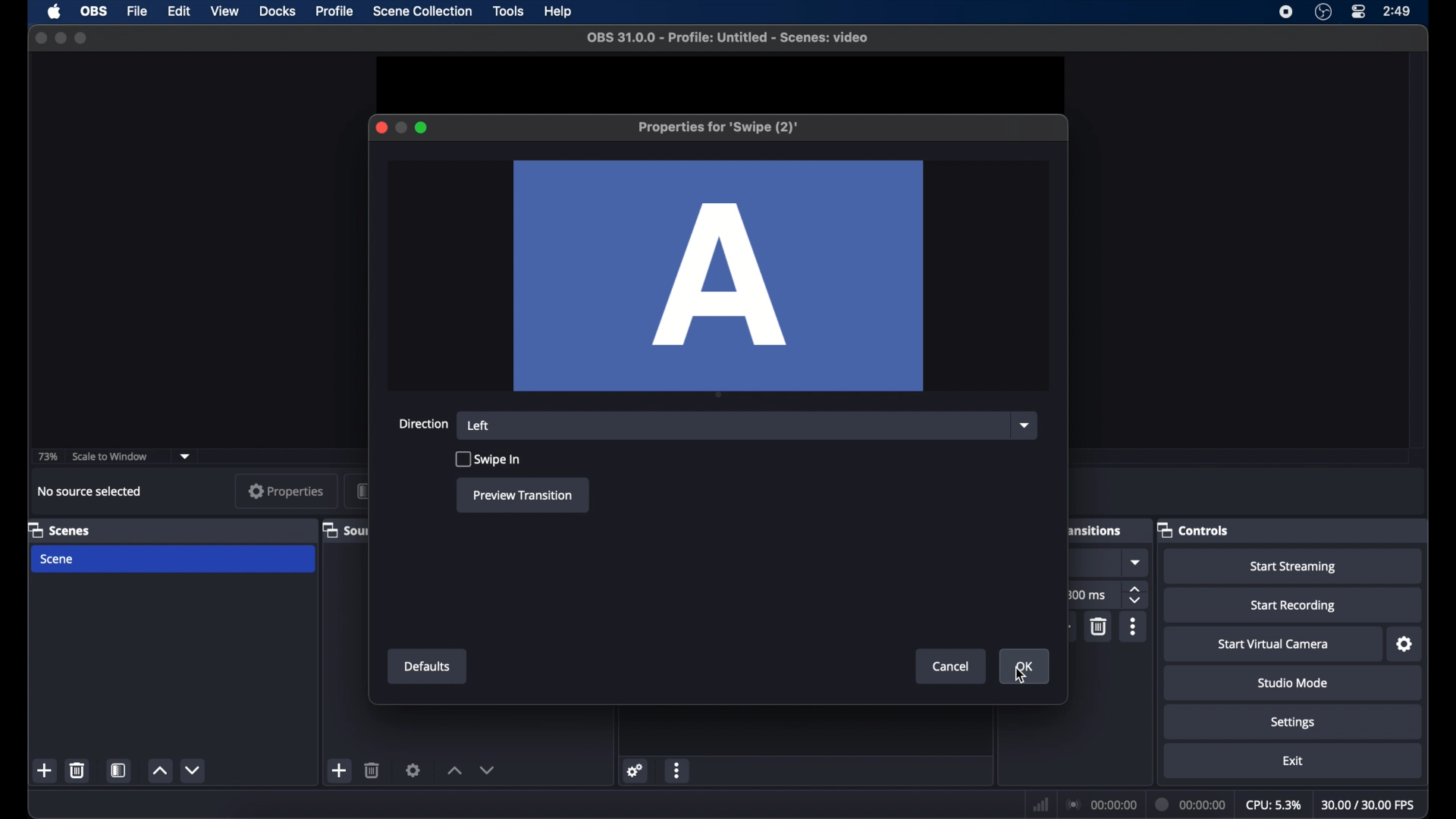 The height and width of the screenshot is (819, 1456). Describe the element at coordinates (678, 770) in the screenshot. I see `more options` at that location.